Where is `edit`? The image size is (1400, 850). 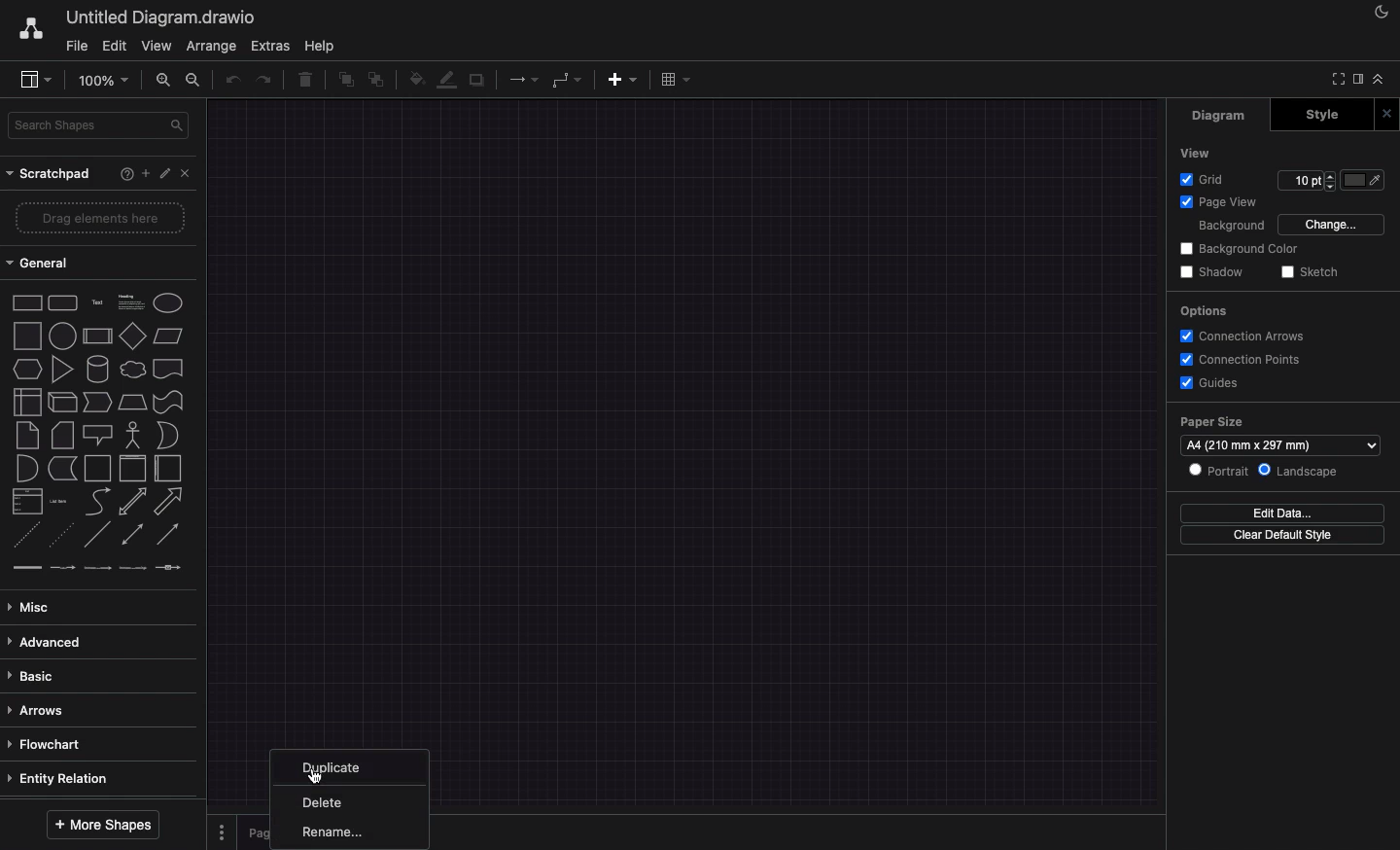 edit is located at coordinates (165, 172).